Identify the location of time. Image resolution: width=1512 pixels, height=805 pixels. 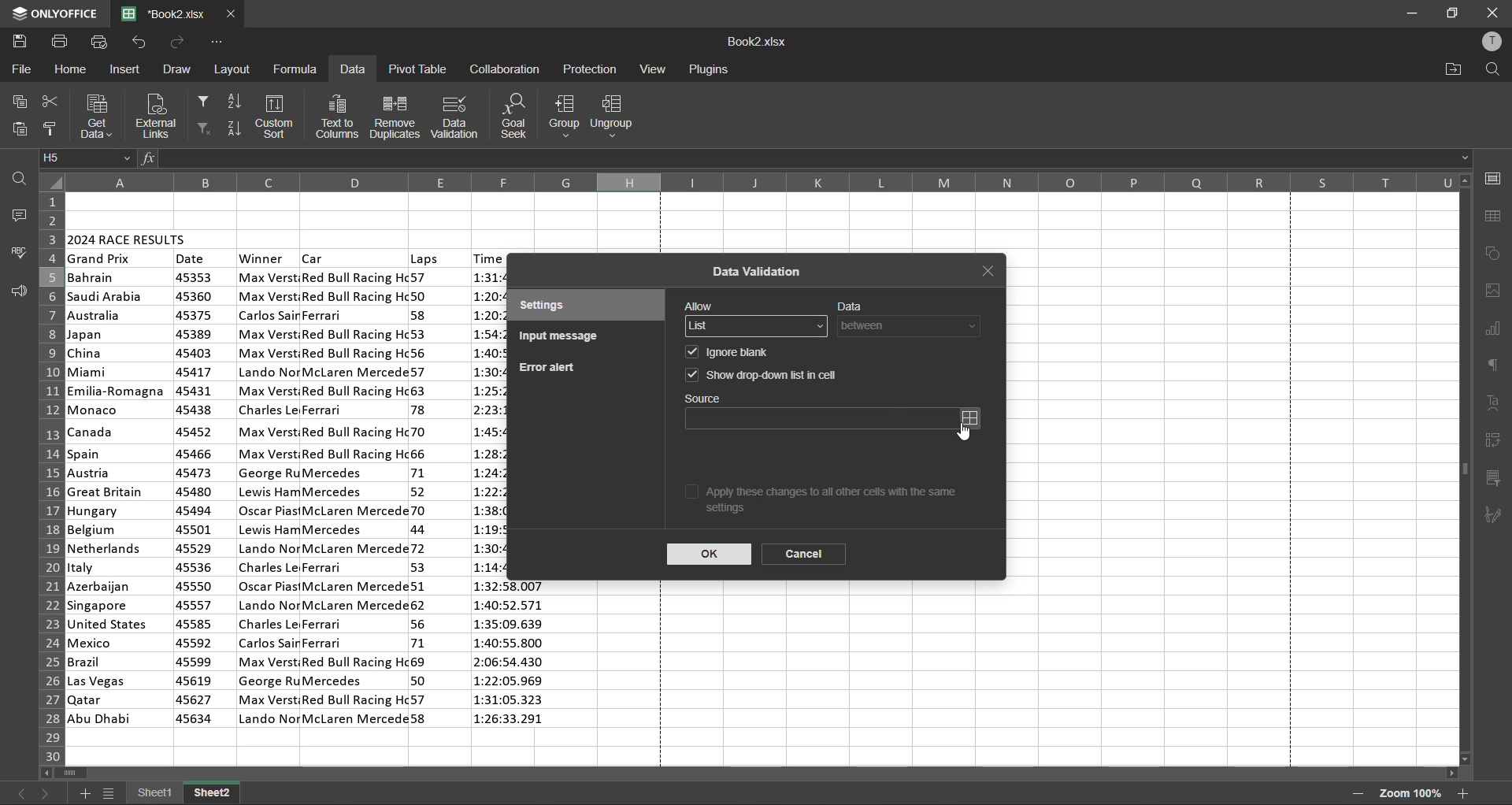
(487, 258).